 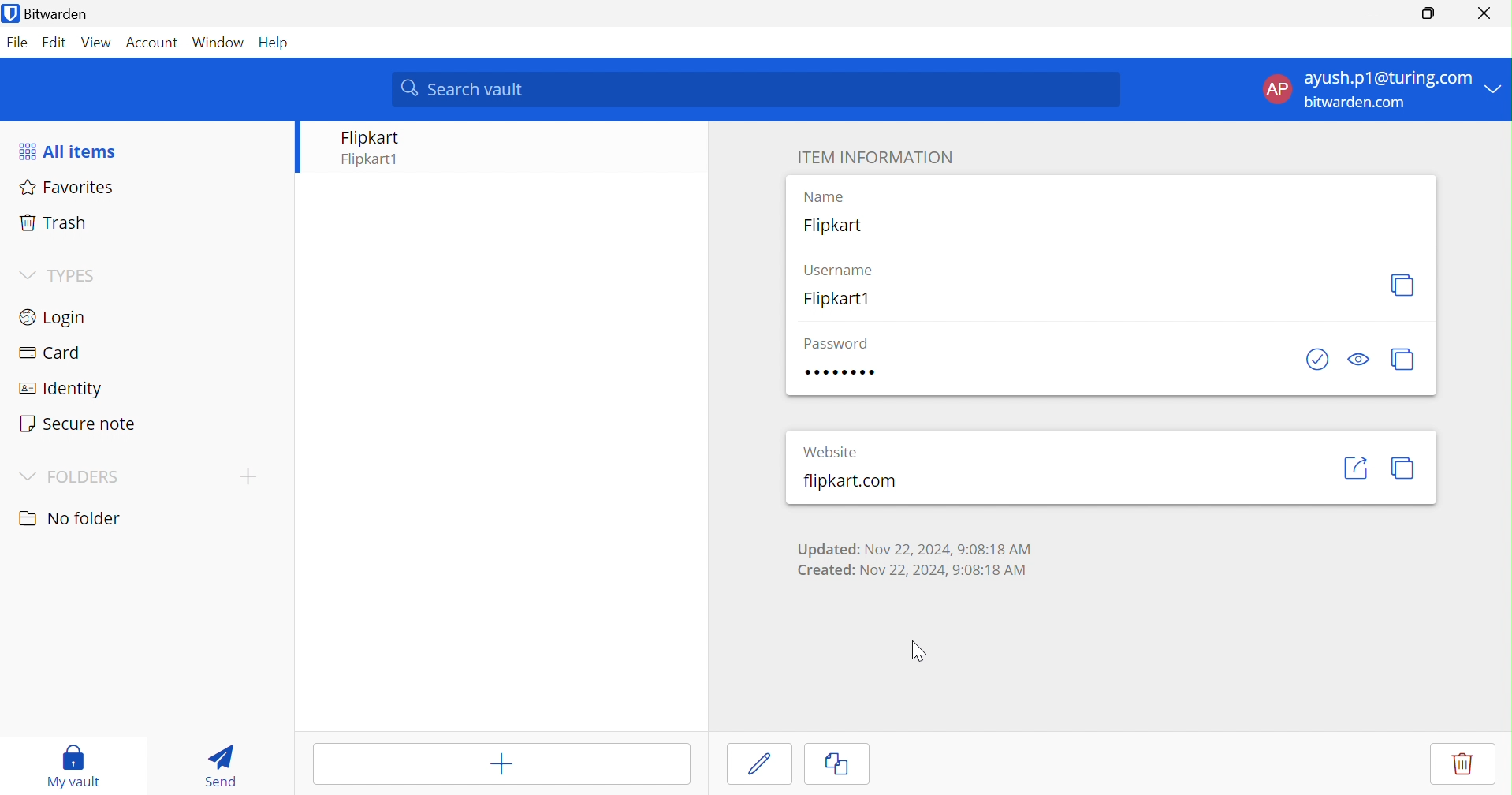 I want to click on ITEM INFORMATION, so click(x=872, y=156).